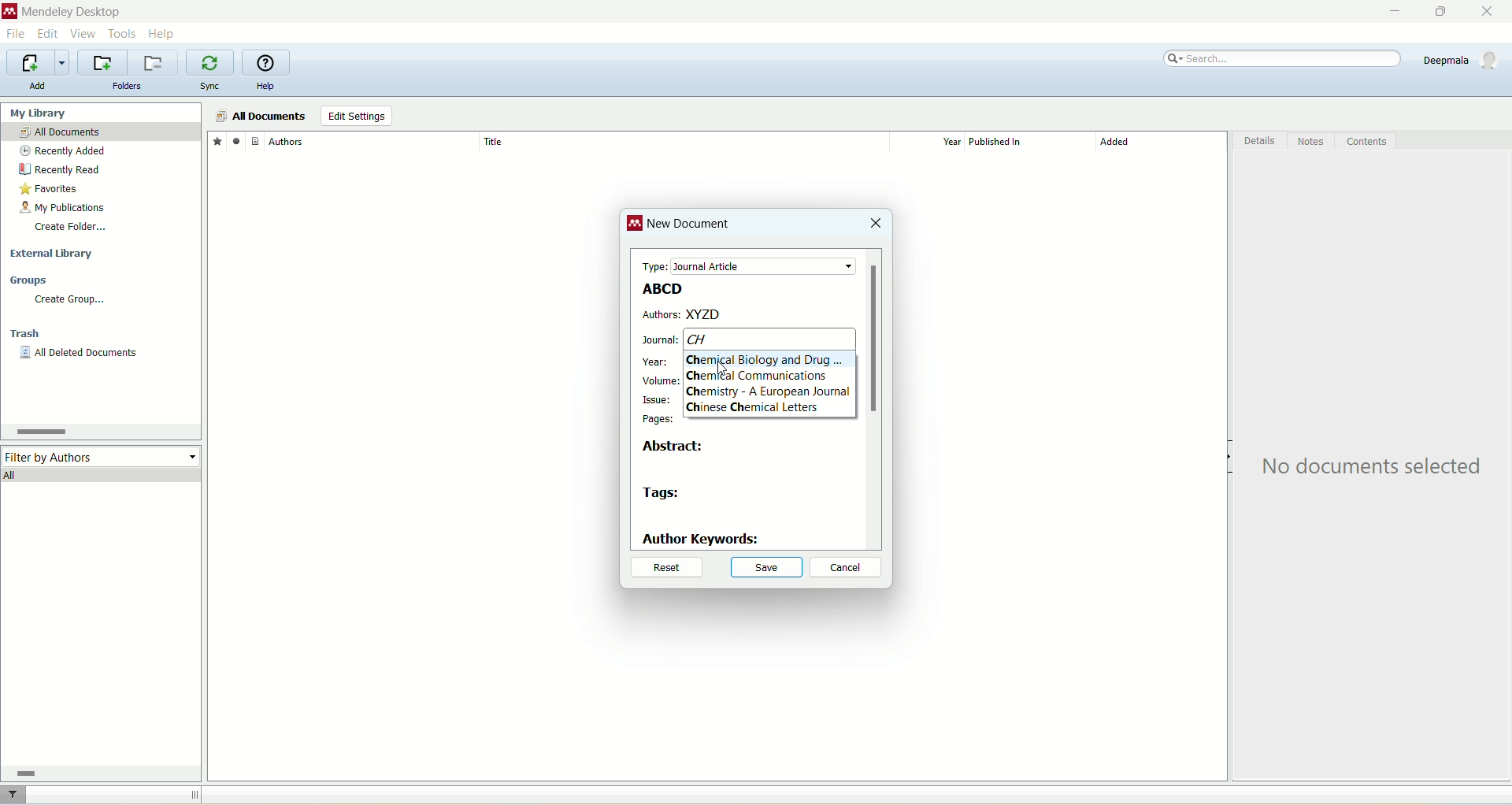 The height and width of the screenshot is (805, 1512). I want to click on mendeley desktop, so click(69, 13).